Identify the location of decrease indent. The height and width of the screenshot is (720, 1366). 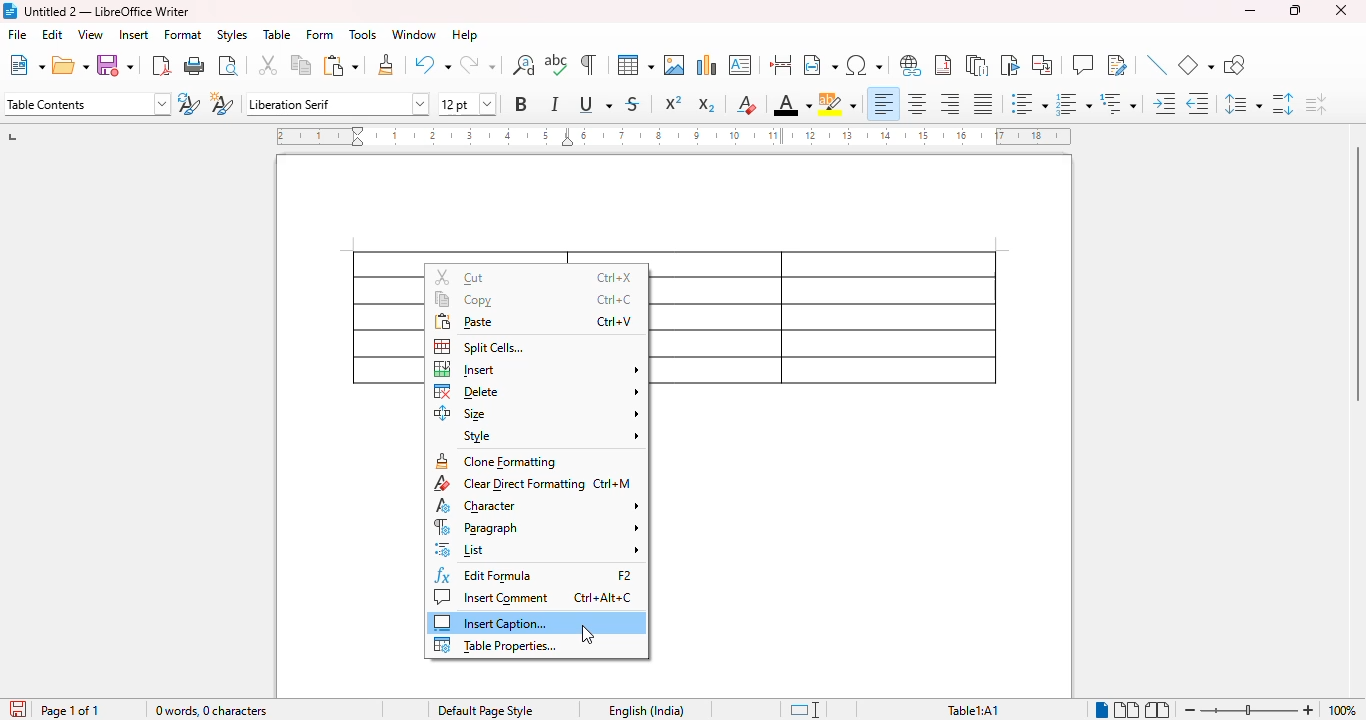
(1198, 104).